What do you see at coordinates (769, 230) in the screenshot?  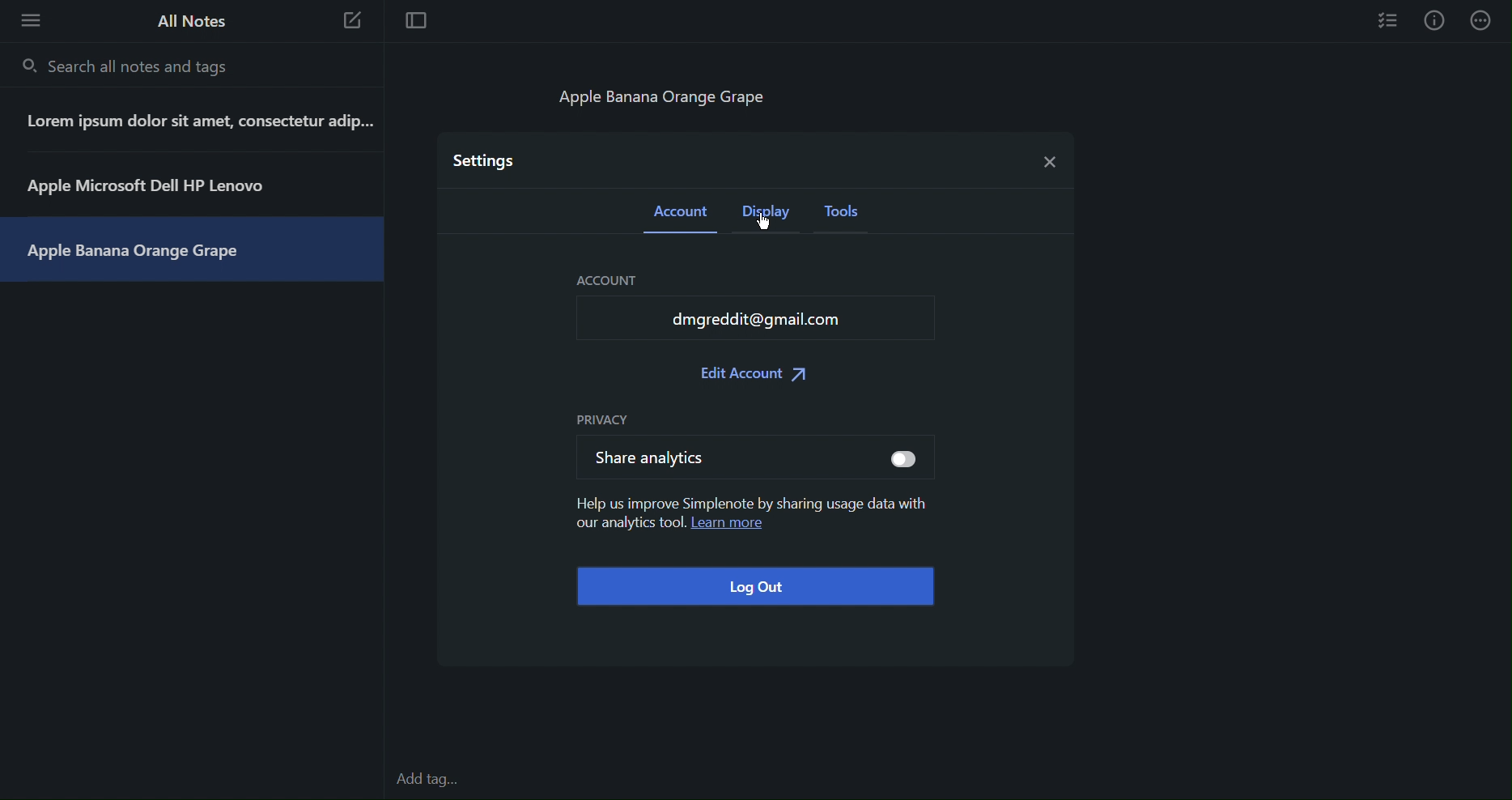 I see `cursor` at bounding box center [769, 230].